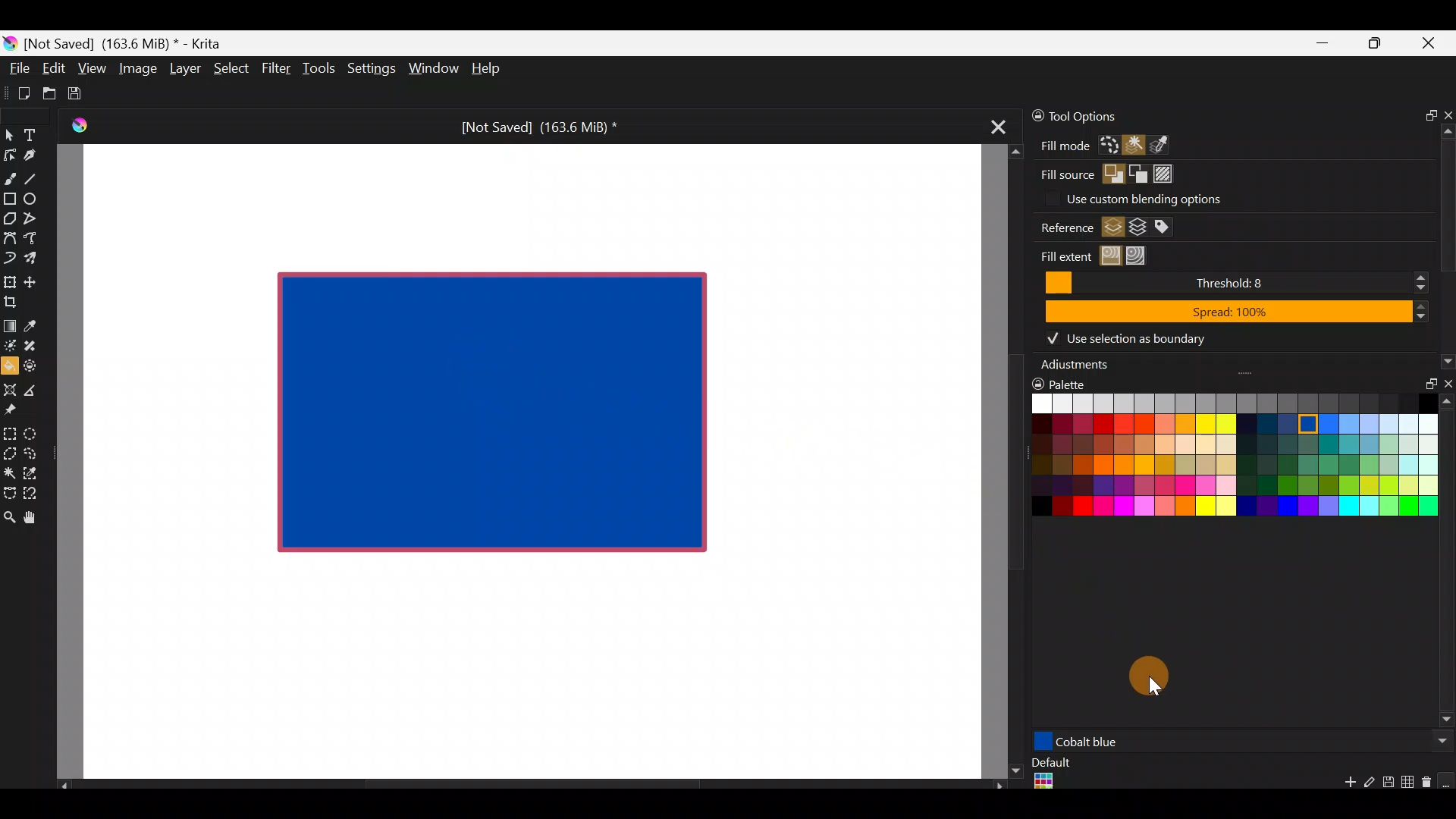 This screenshot has height=819, width=1456. I want to click on Measure the distance between two points, so click(39, 391).